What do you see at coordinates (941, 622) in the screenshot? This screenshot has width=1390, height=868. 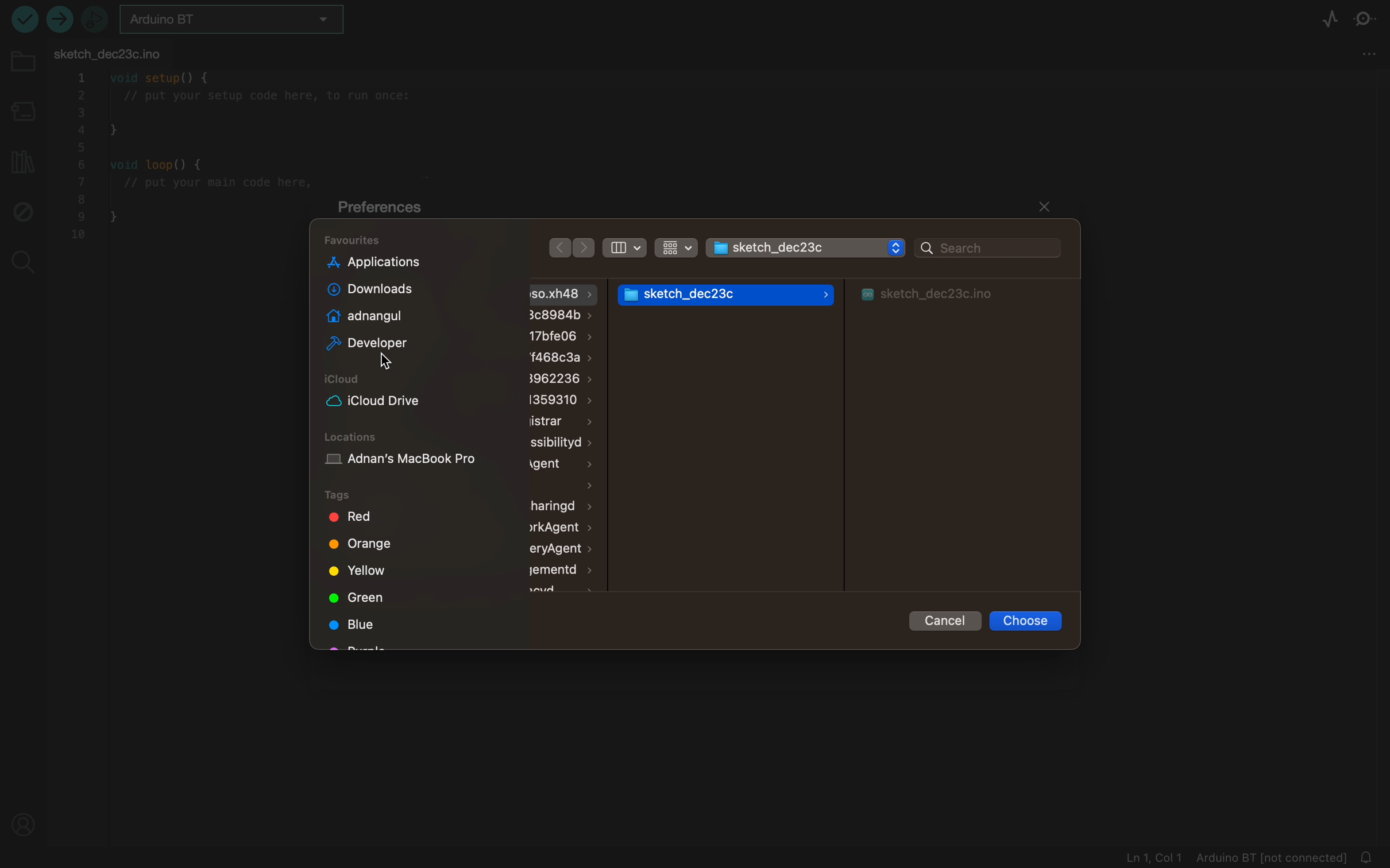 I see `cancel` at bounding box center [941, 622].